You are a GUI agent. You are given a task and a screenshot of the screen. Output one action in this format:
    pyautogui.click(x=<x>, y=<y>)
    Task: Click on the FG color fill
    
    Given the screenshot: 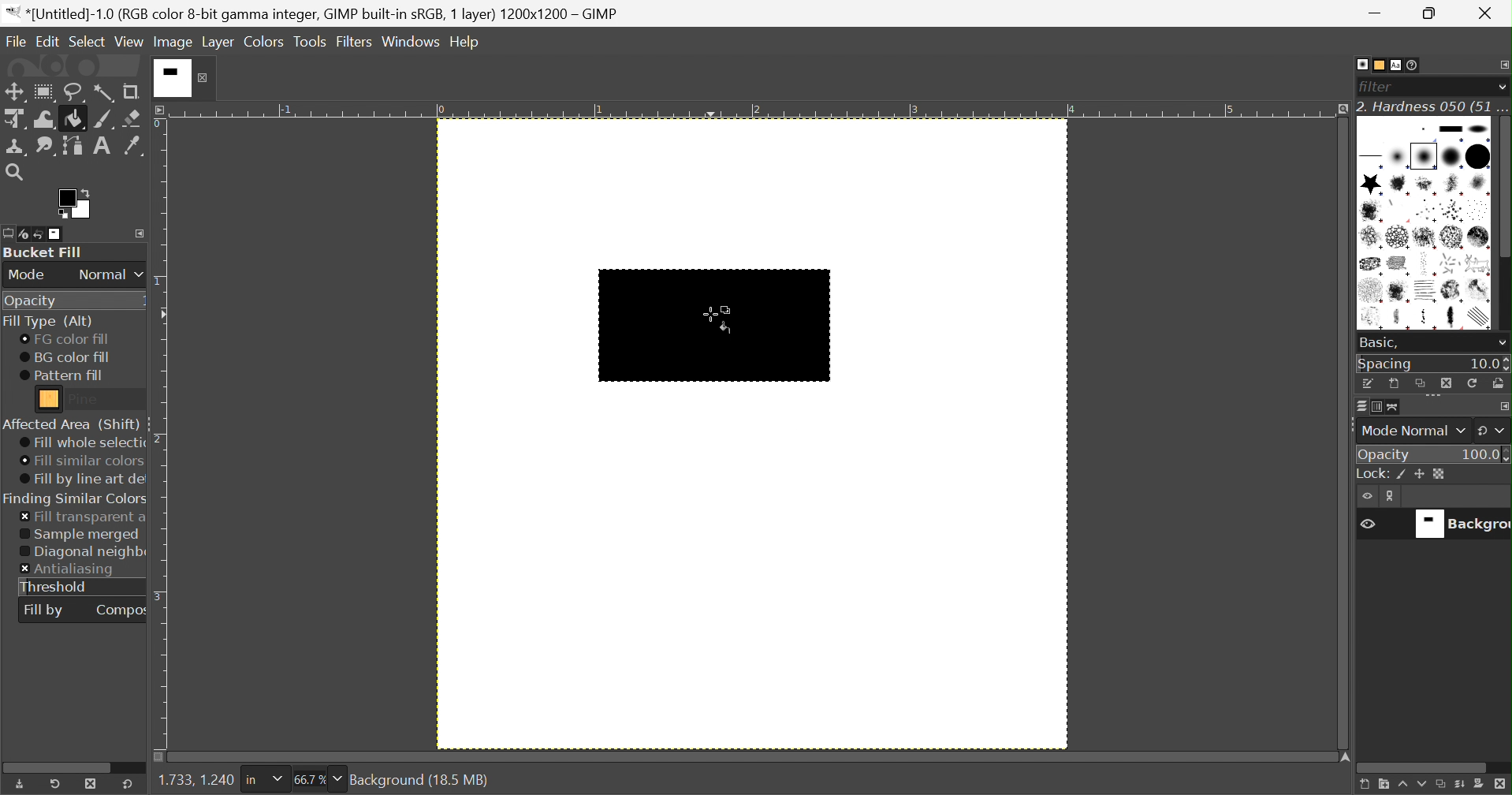 What is the action you would take?
    pyautogui.click(x=63, y=339)
    